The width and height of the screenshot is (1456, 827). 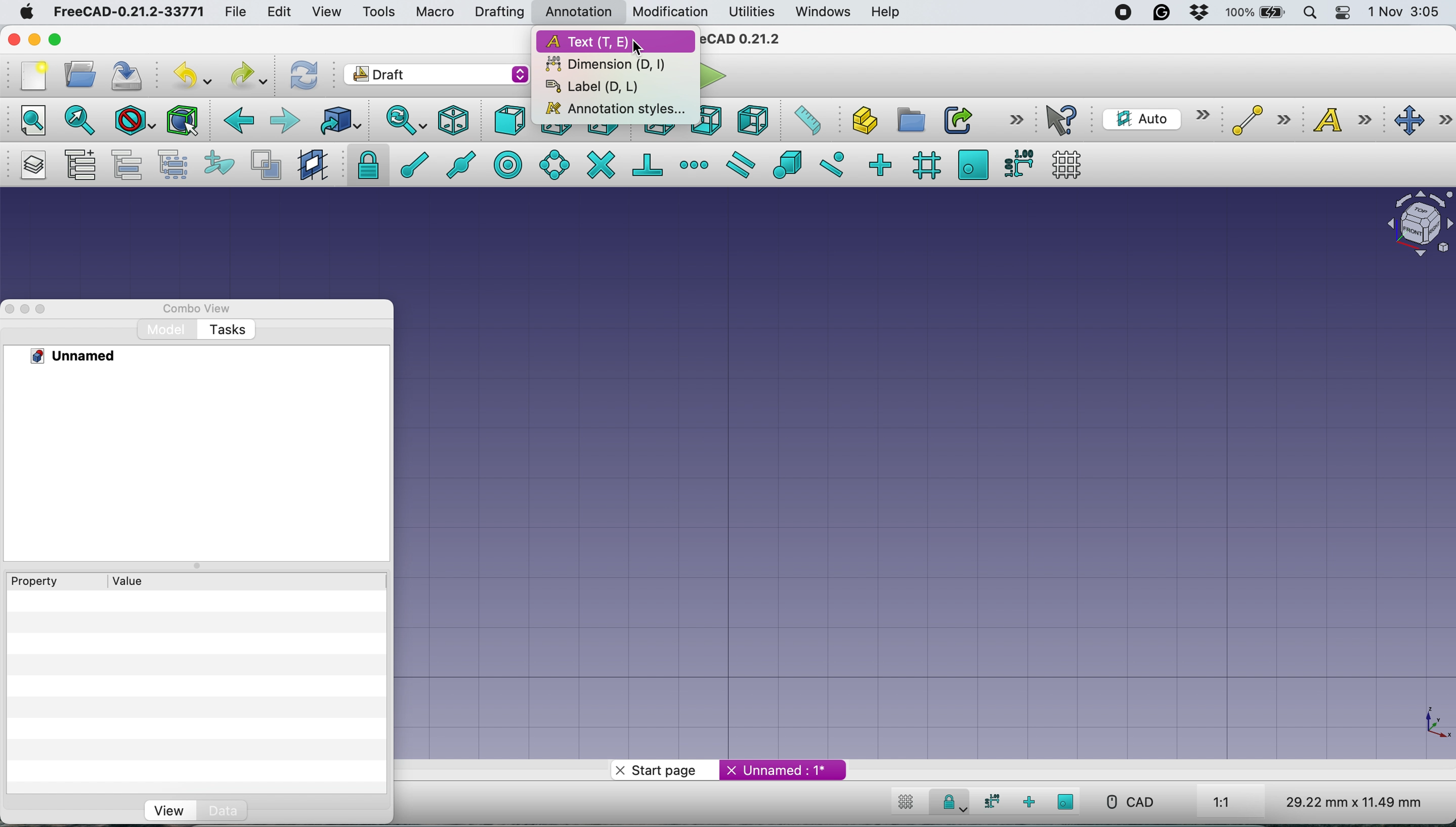 I want to click on execute macros, so click(x=709, y=77).